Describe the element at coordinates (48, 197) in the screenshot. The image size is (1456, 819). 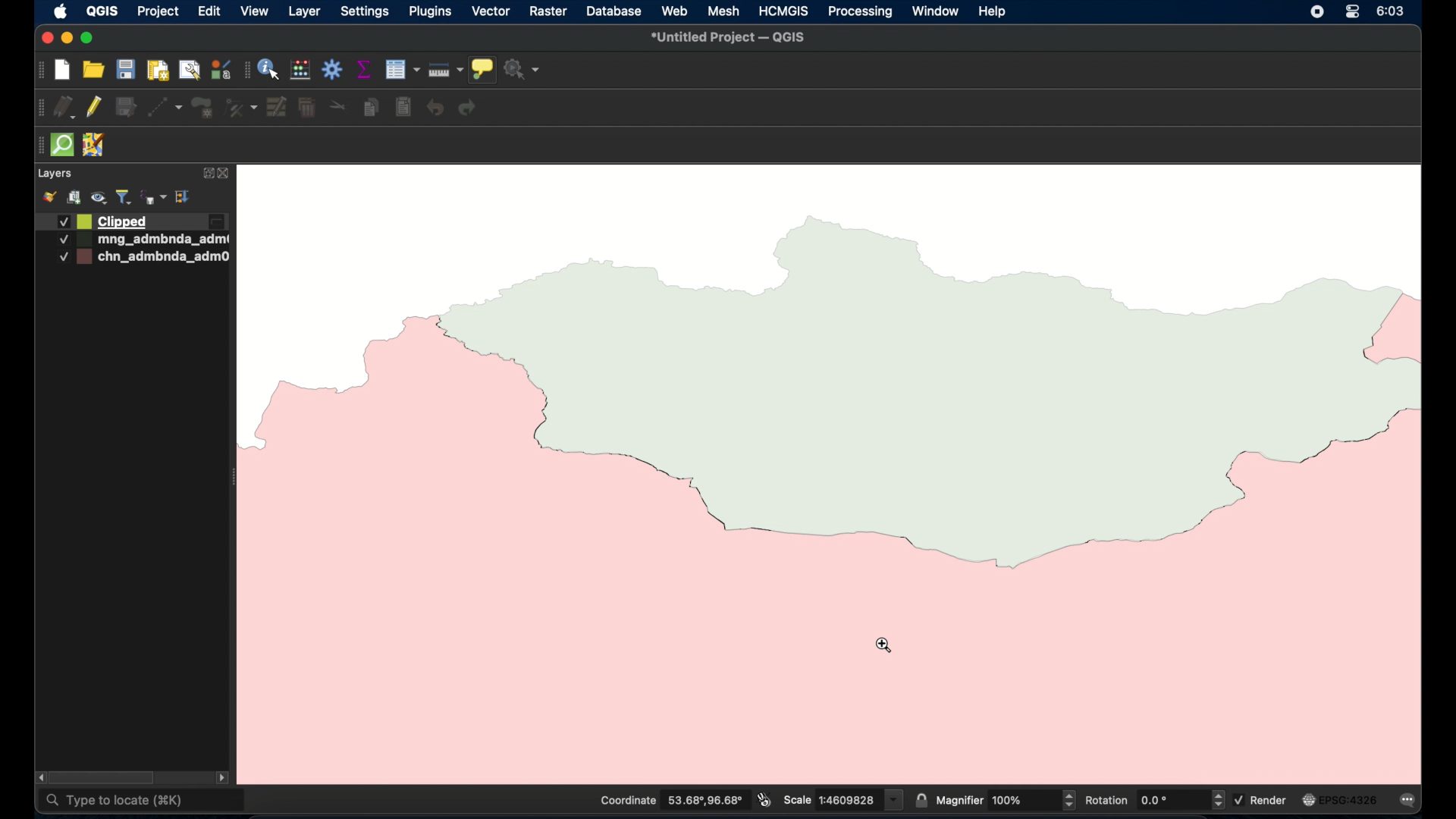
I see `open styling panel` at that location.